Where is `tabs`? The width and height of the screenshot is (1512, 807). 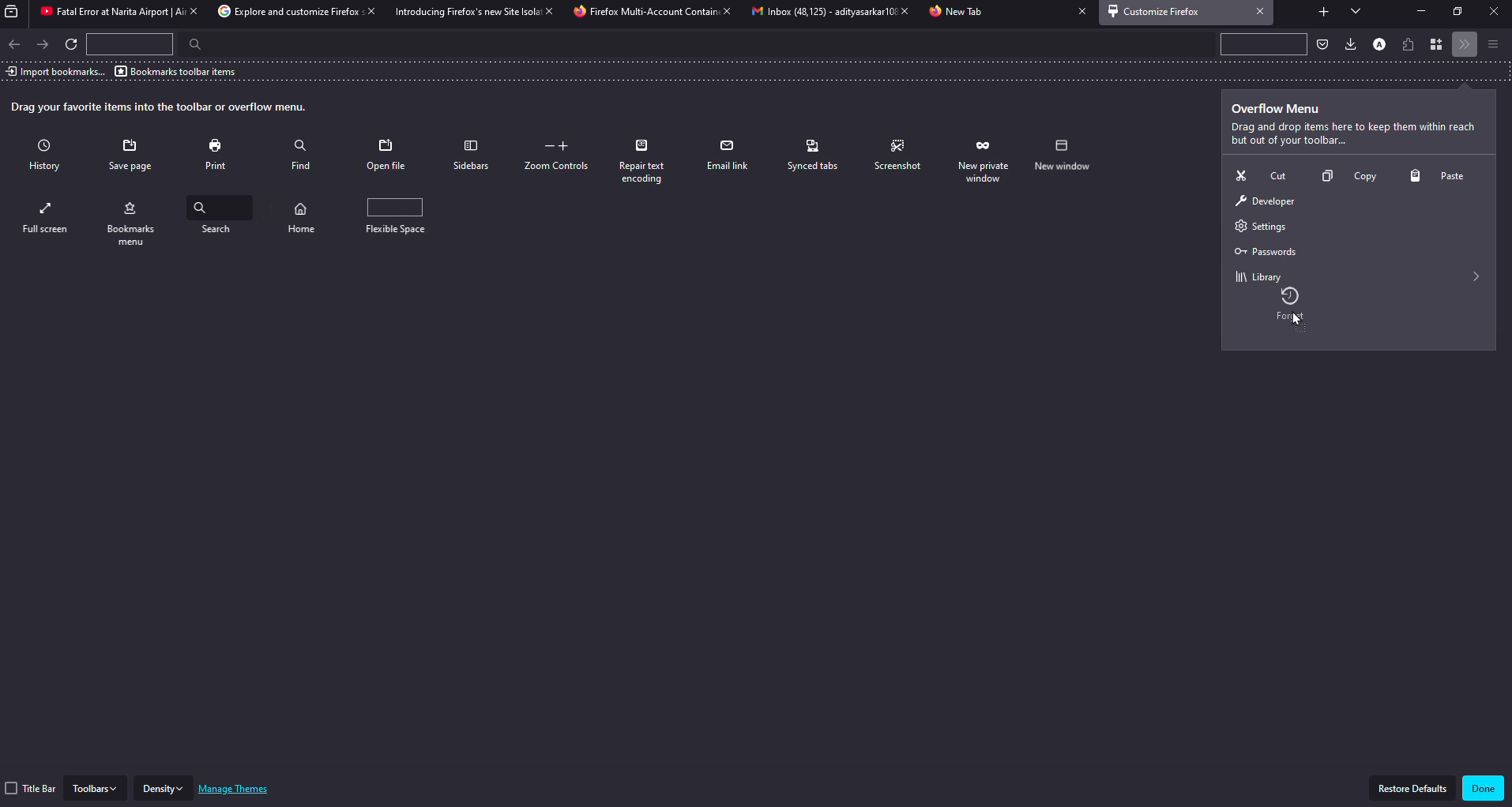 tabs is located at coordinates (1356, 12).